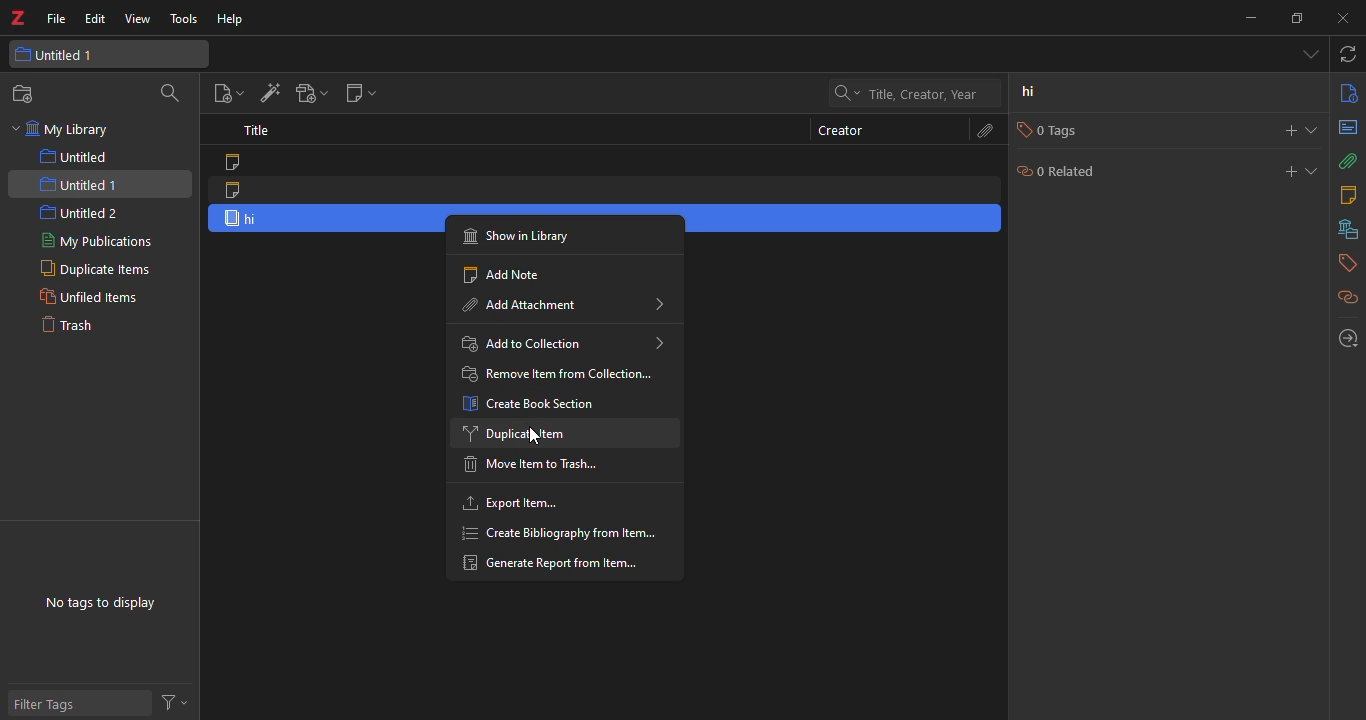 The width and height of the screenshot is (1366, 720). What do you see at coordinates (68, 54) in the screenshot?
I see `untitled 1` at bounding box center [68, 54].